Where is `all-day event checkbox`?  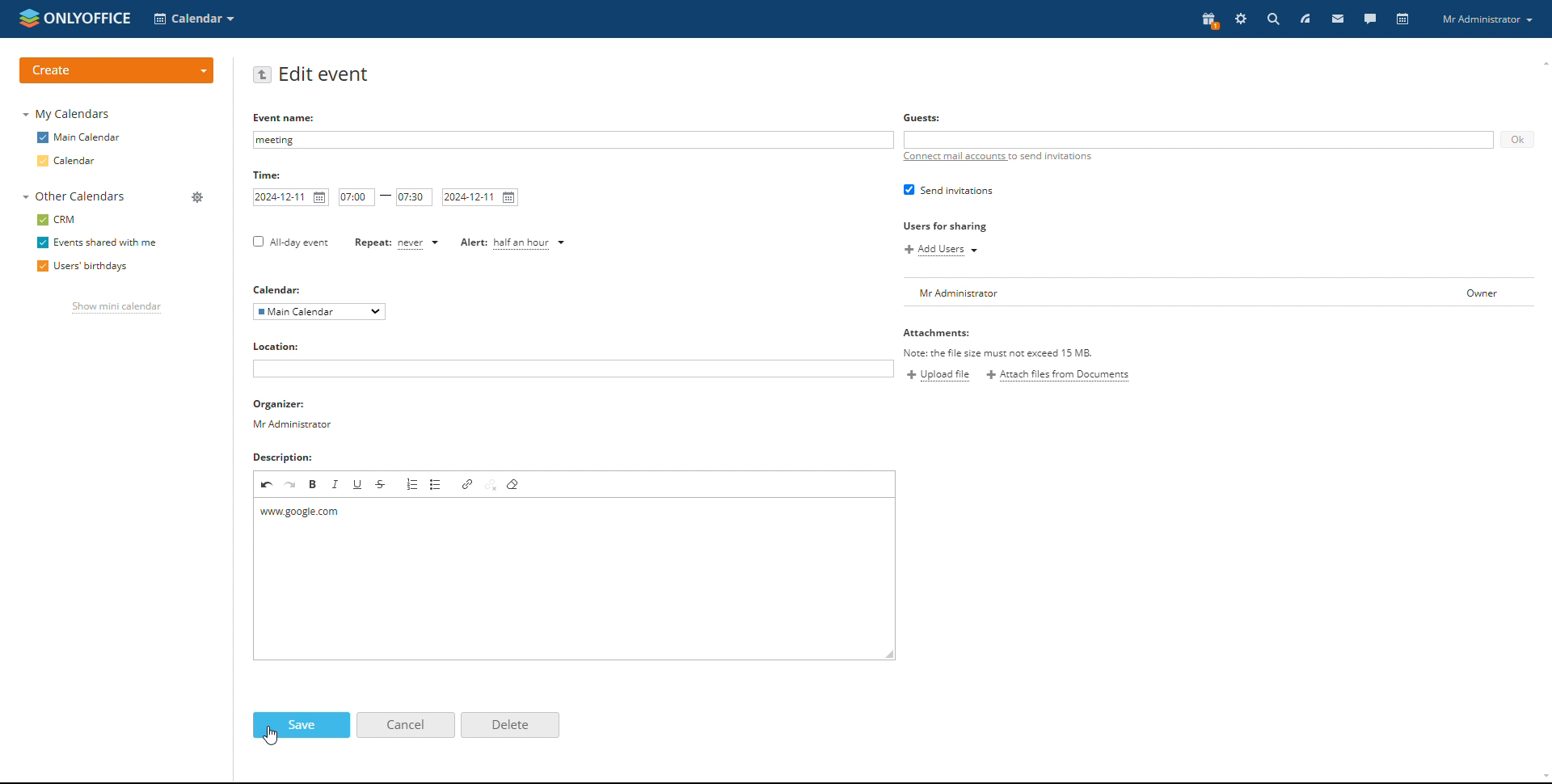 all-day event checkbox is located at coordinates (289, 243).